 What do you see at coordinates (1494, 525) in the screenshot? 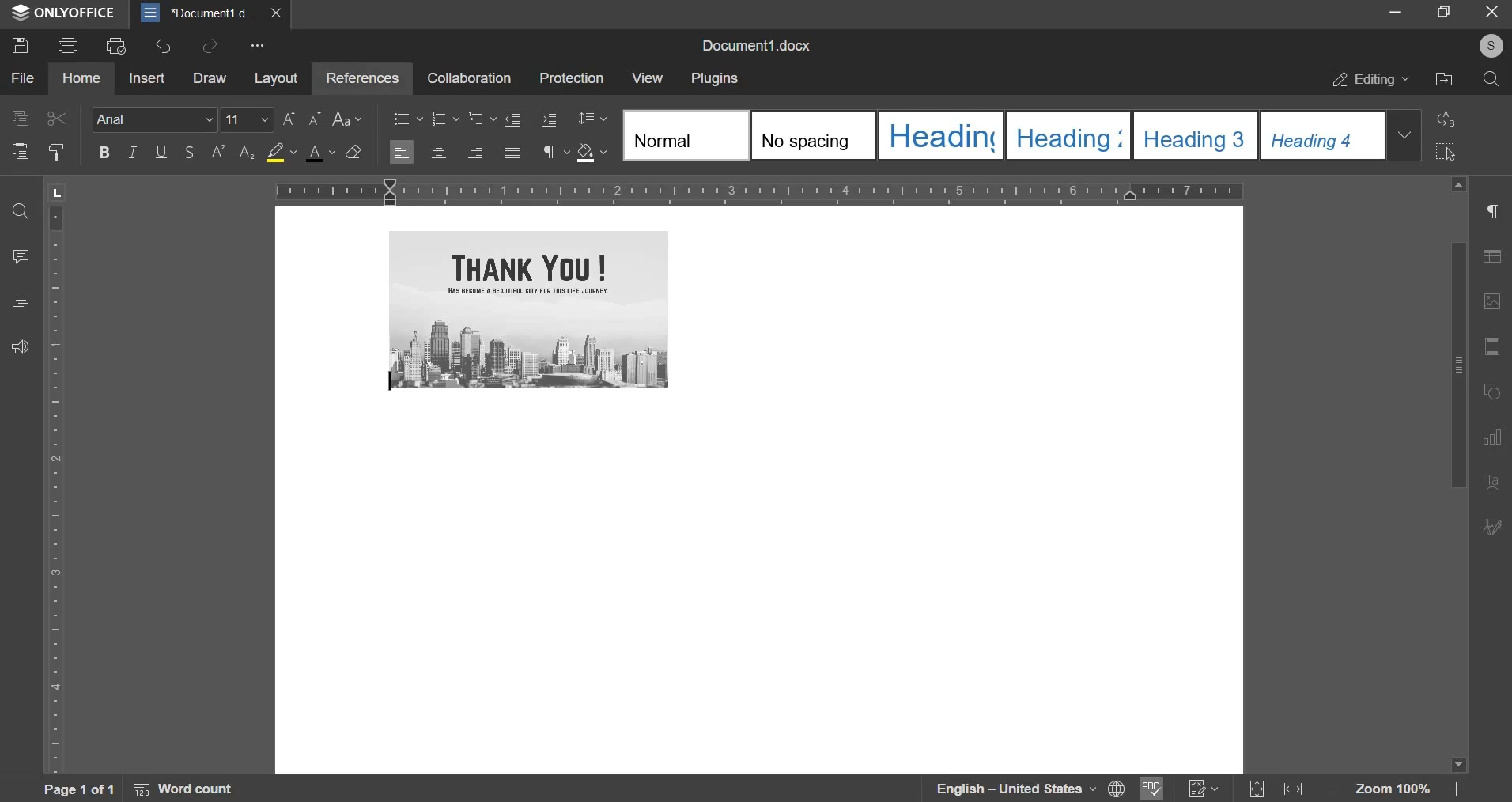
I see `Edit` at bounding box center [1494, 525].